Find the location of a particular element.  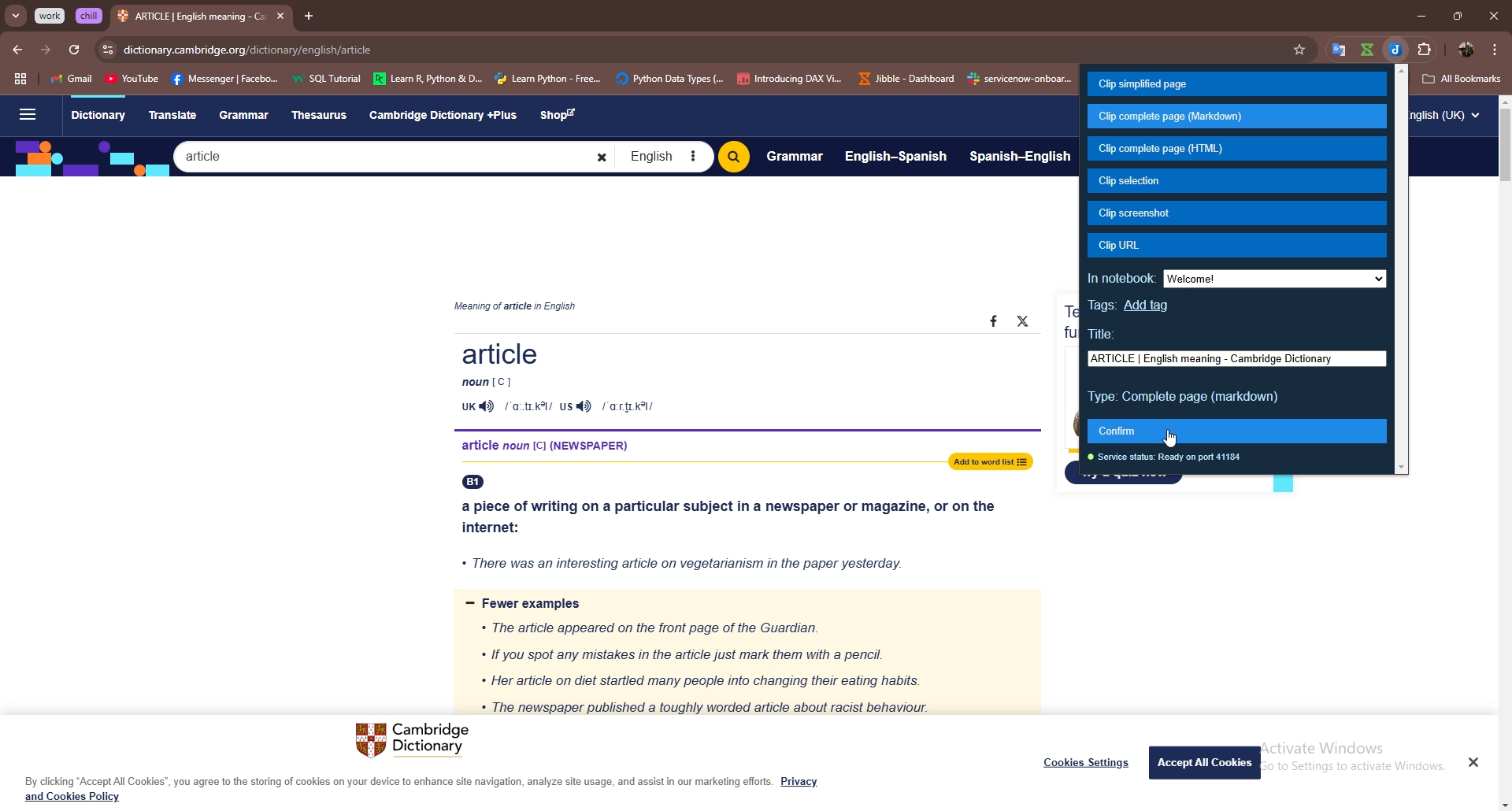

Article is located at coordinates (733, 379).